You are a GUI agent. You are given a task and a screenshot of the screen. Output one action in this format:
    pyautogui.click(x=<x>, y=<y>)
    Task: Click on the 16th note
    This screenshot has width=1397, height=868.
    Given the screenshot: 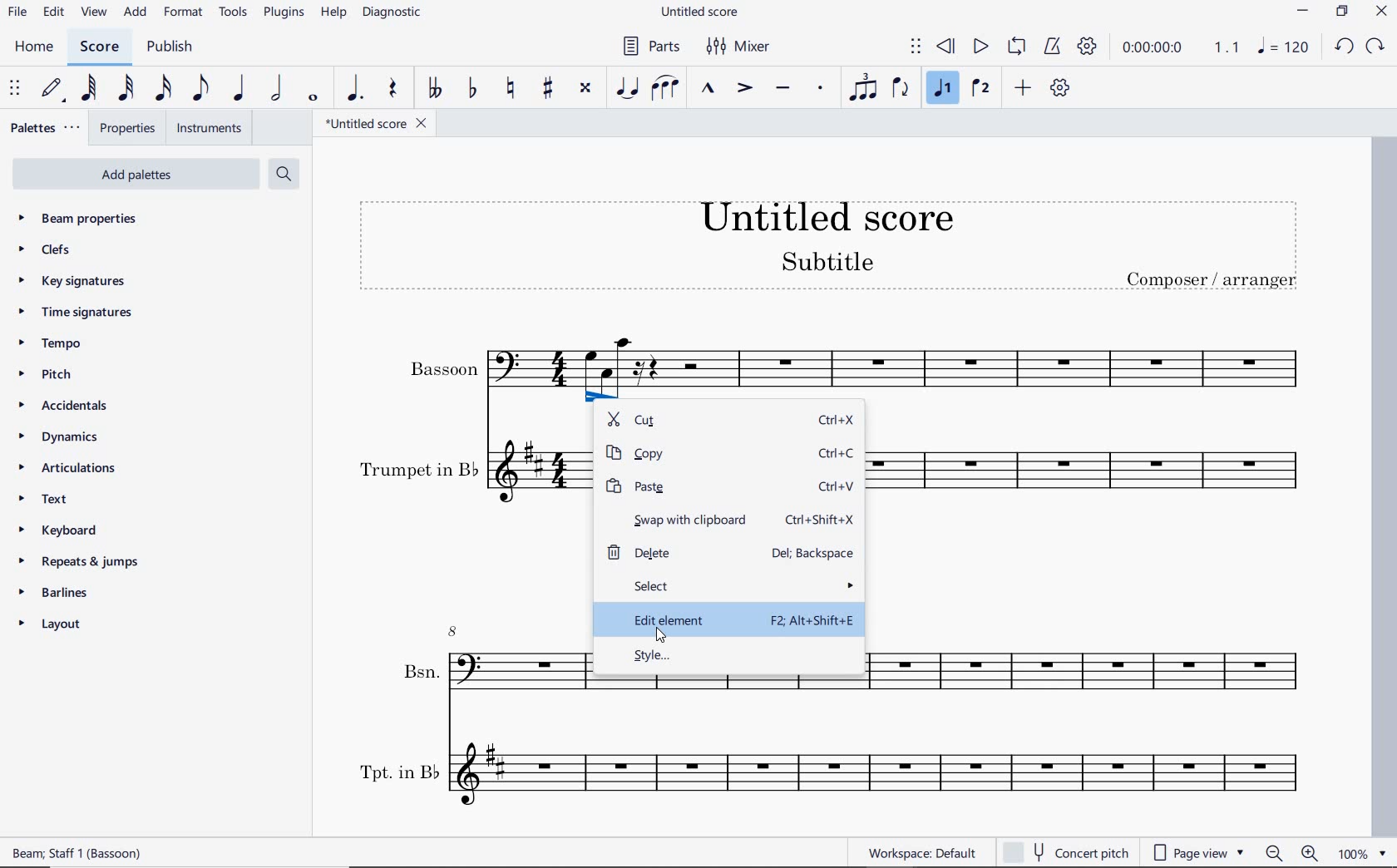 What is the action you would take?
    pyautogui.click(x=164, y=90)
    